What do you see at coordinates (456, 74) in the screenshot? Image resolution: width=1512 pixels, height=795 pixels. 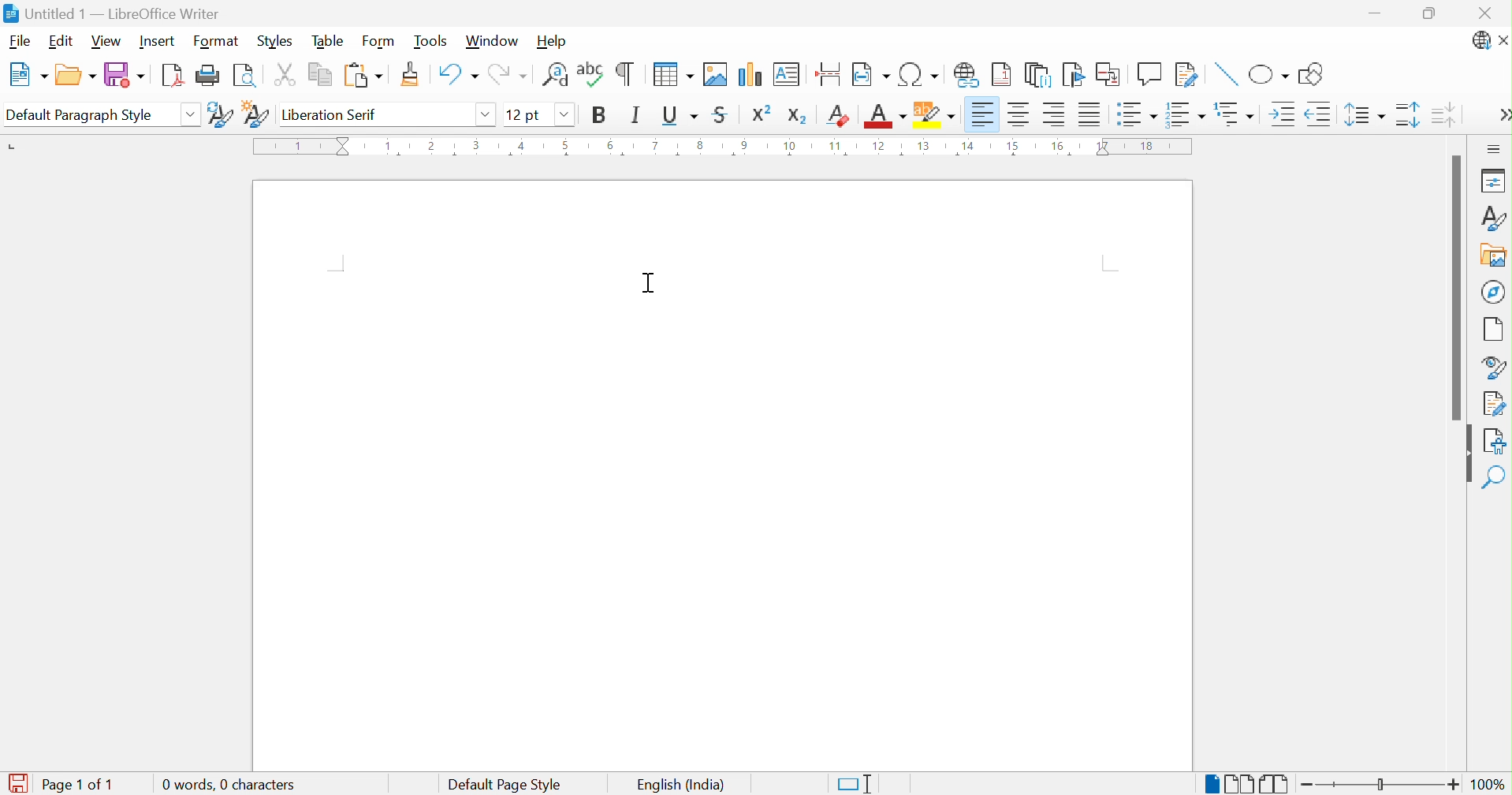 I see `Undo` at bounding box center [456, 74].